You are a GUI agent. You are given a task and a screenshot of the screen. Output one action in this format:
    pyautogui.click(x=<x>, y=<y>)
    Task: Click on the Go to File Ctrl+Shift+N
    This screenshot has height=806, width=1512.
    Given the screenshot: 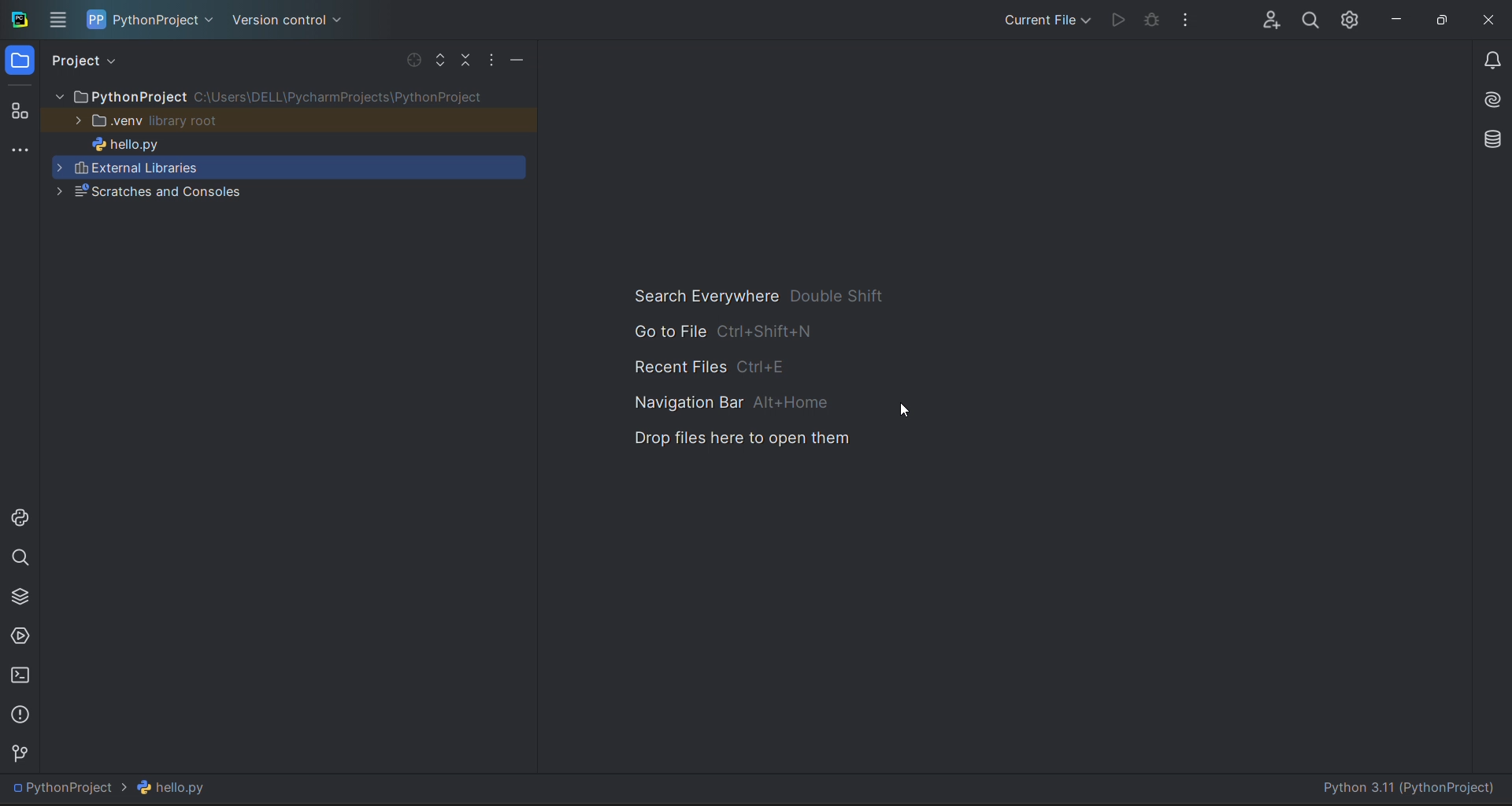 What is the action you would take?
    pyautogui.click(x=706, y=328)
    